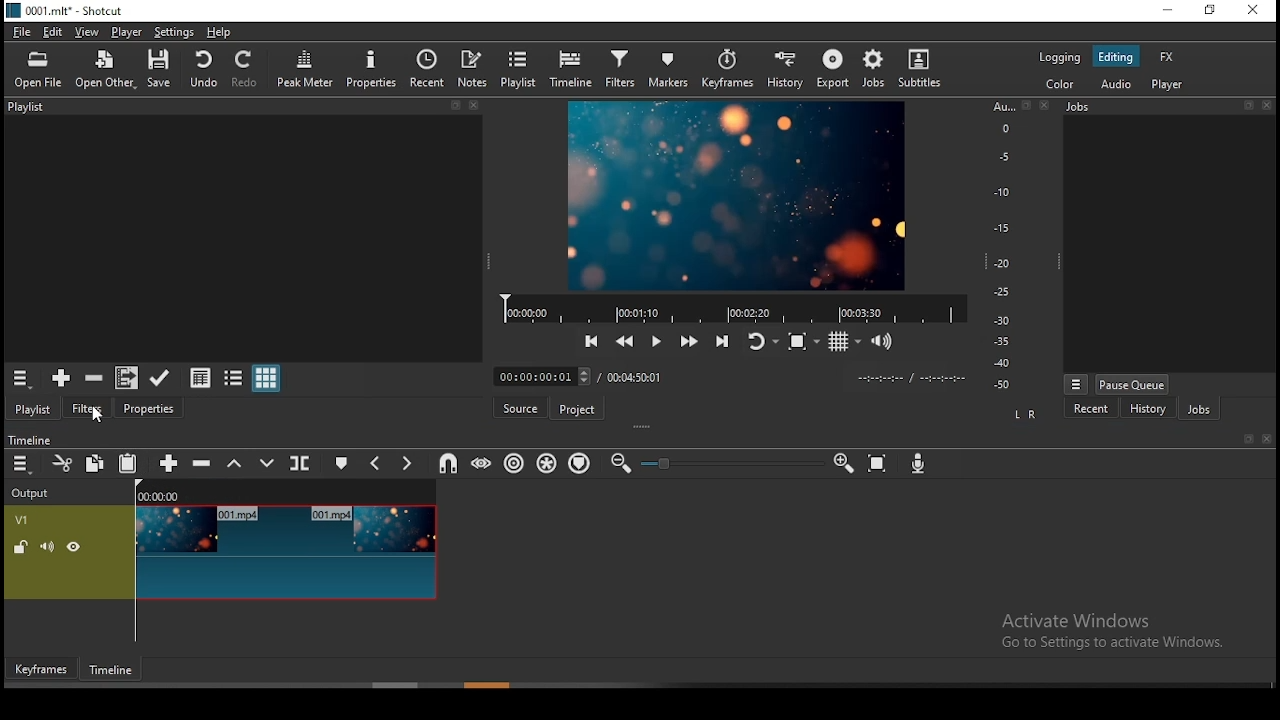  Describe the element at coordinates (1252, 11) in the screenshot. I see `close window` at that location.